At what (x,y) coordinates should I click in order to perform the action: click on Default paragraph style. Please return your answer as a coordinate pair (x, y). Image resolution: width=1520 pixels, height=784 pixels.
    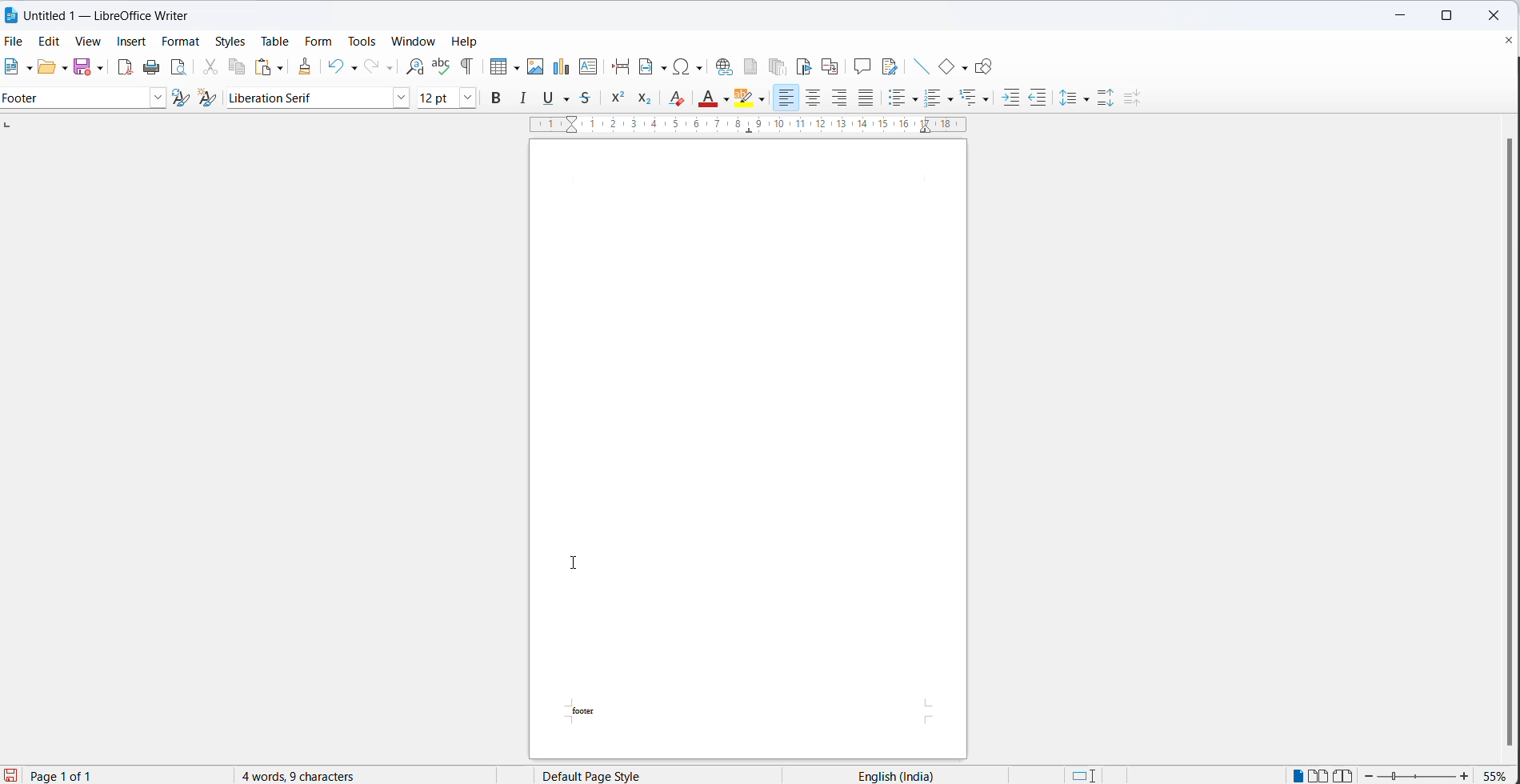
    Looking at the image, I should click on (74, 98).